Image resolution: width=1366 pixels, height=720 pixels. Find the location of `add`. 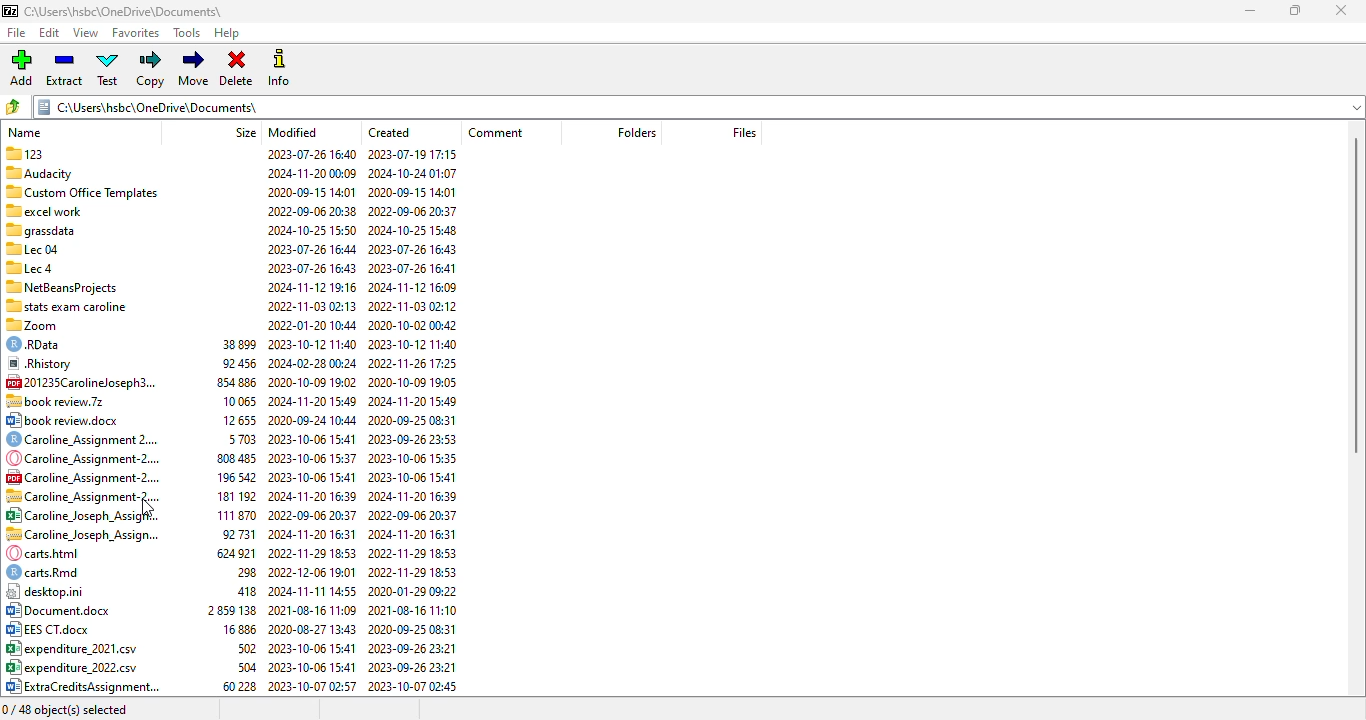

add is located at coordinates (22, 68).